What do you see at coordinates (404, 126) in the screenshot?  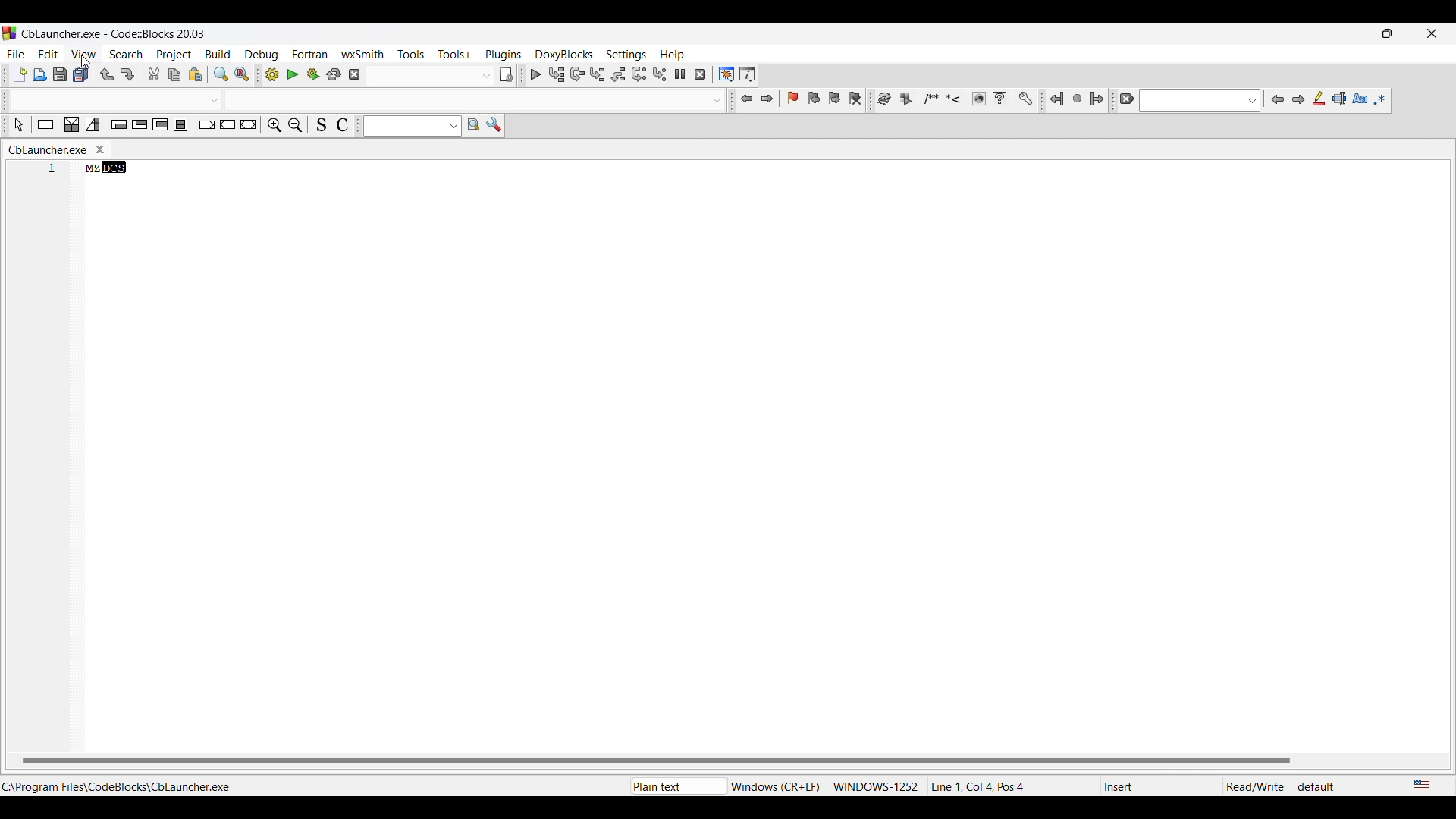 I see `Input text to search` at bounding box center [404, 126].